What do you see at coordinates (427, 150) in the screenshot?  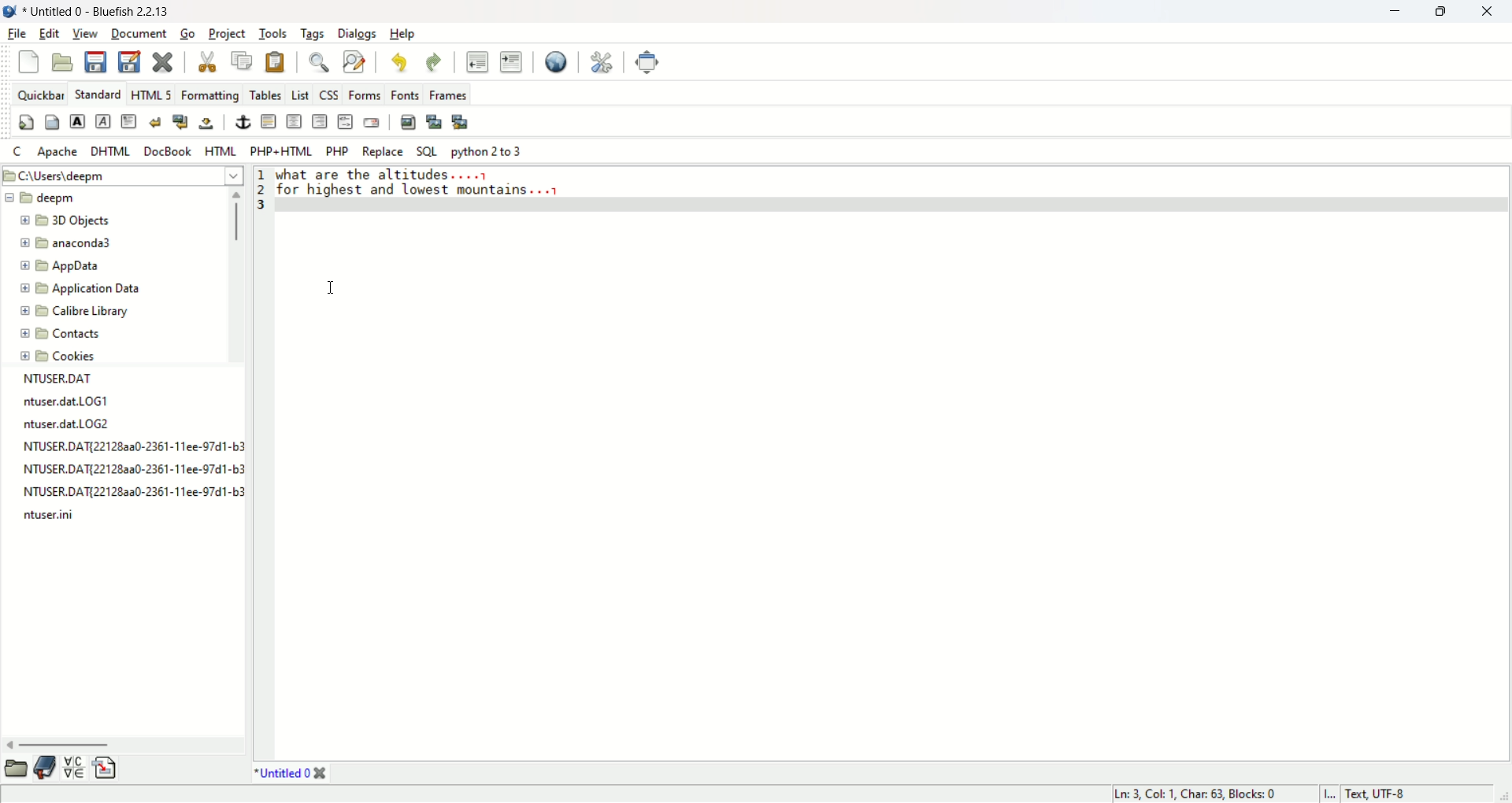 I see `SQL` at bounding box center [427, 150].